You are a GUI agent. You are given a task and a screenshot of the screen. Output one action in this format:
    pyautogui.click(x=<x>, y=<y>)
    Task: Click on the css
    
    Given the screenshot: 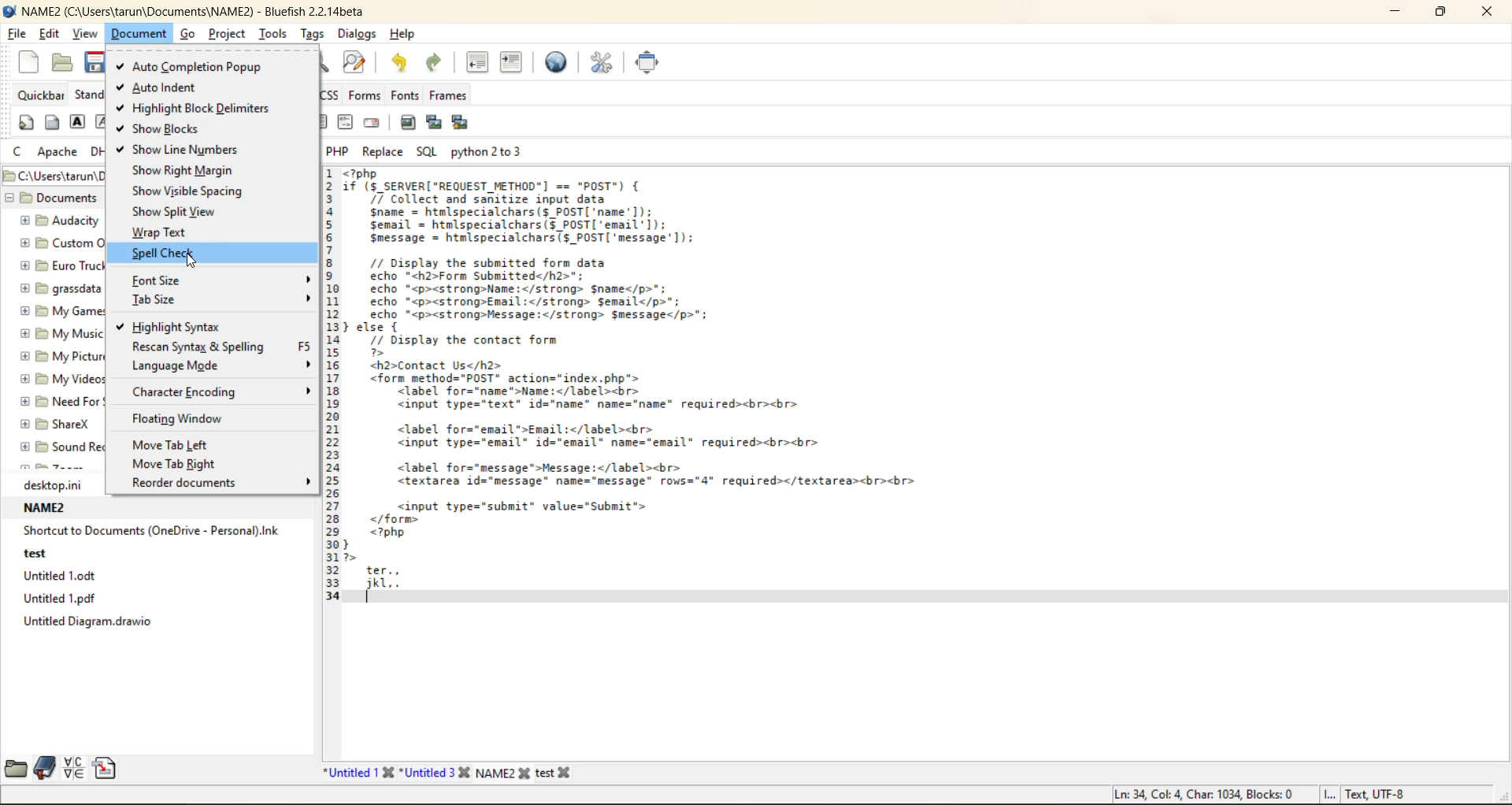 What is the action you would take?
    pyautogui.click(x=334, y=95)
    